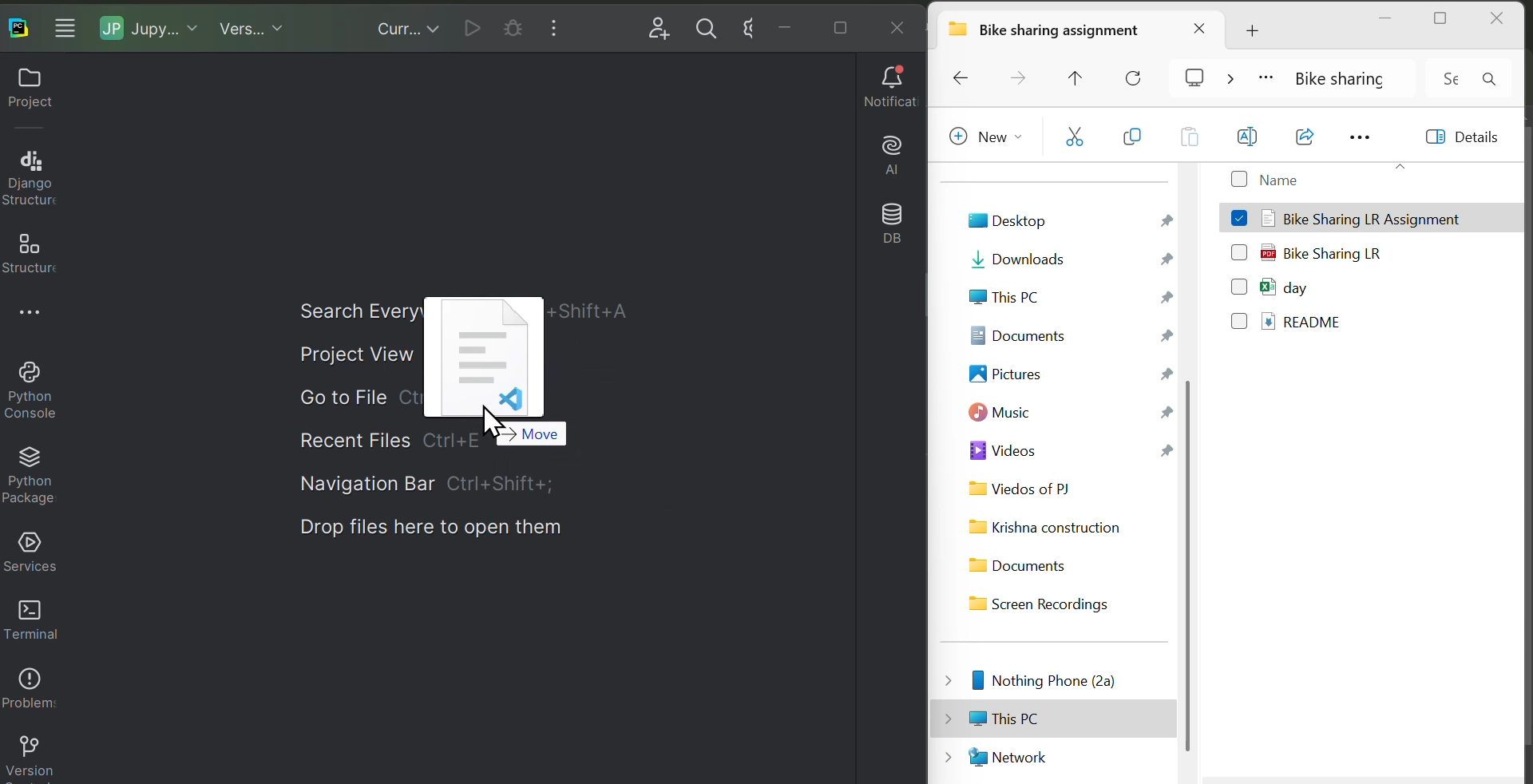  What do you see at coordinates (961, 78) in the screenshot?
I see `Backward` at bounding box center [961, 78].